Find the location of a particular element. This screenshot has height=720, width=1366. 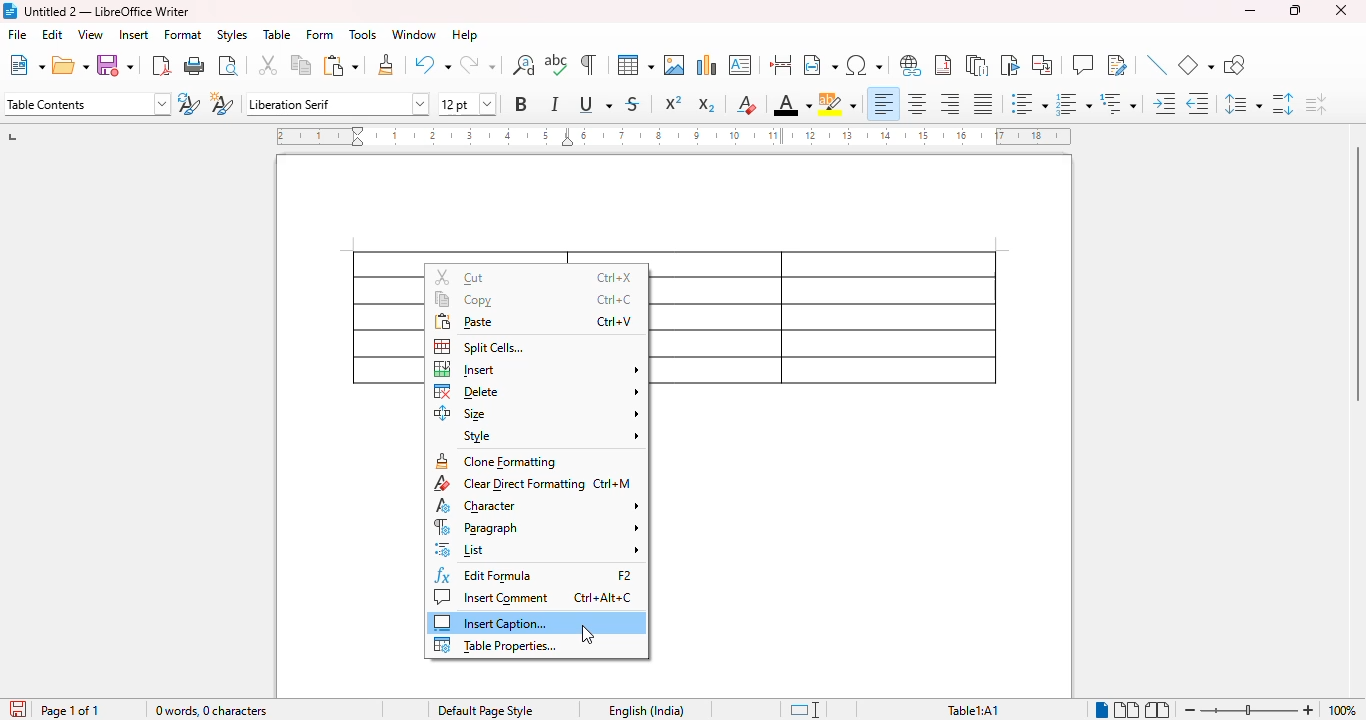

insert comment is located at coordinates (535, 598).